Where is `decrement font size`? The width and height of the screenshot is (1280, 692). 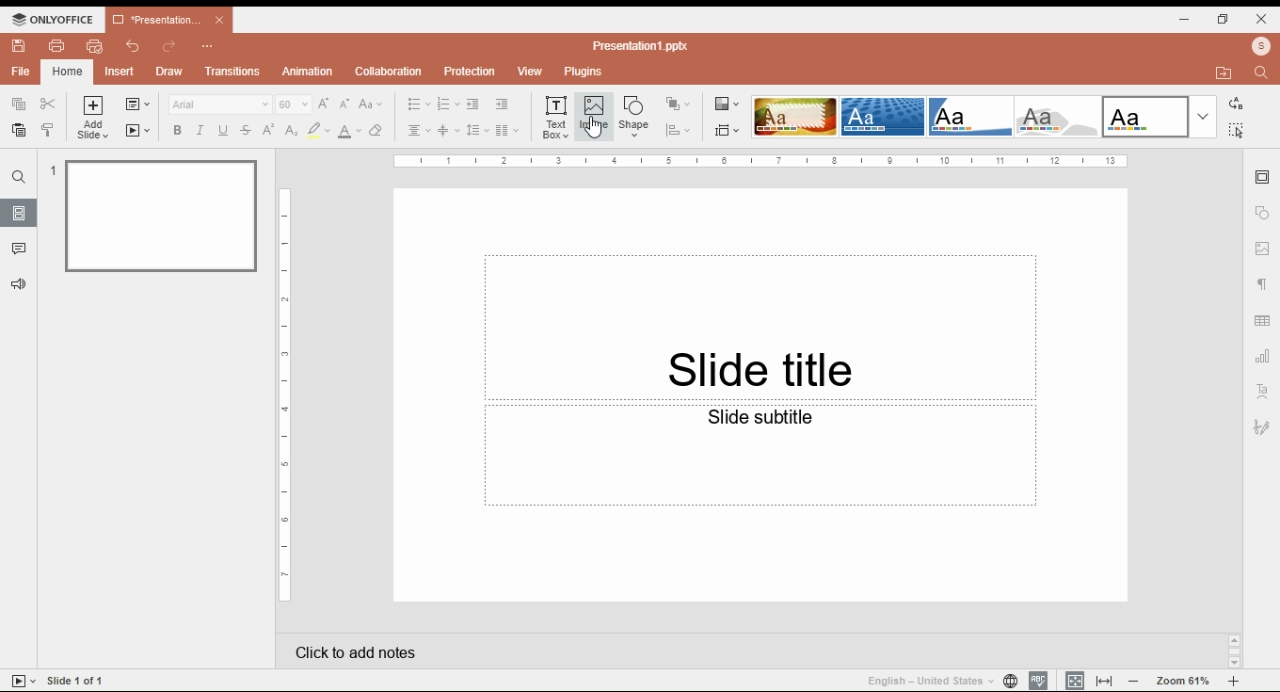 decrement font size is located at coordinates (345, 104).